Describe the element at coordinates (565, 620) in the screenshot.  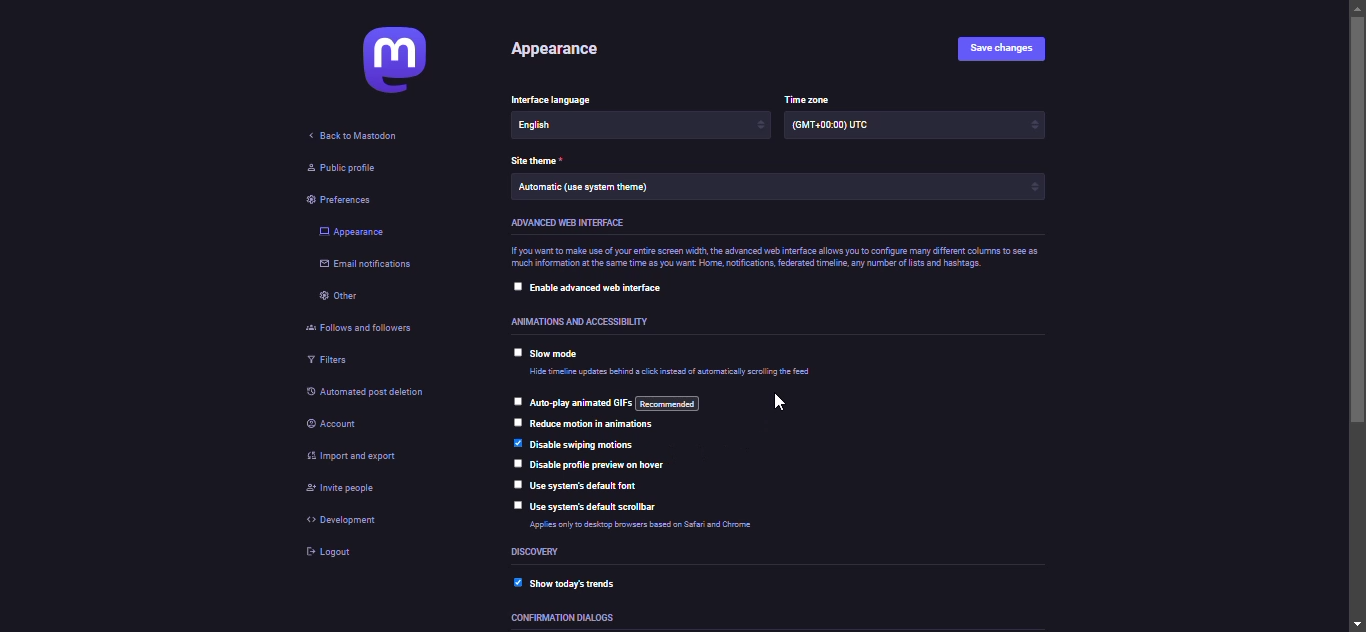
I see `dialoges` at that location.